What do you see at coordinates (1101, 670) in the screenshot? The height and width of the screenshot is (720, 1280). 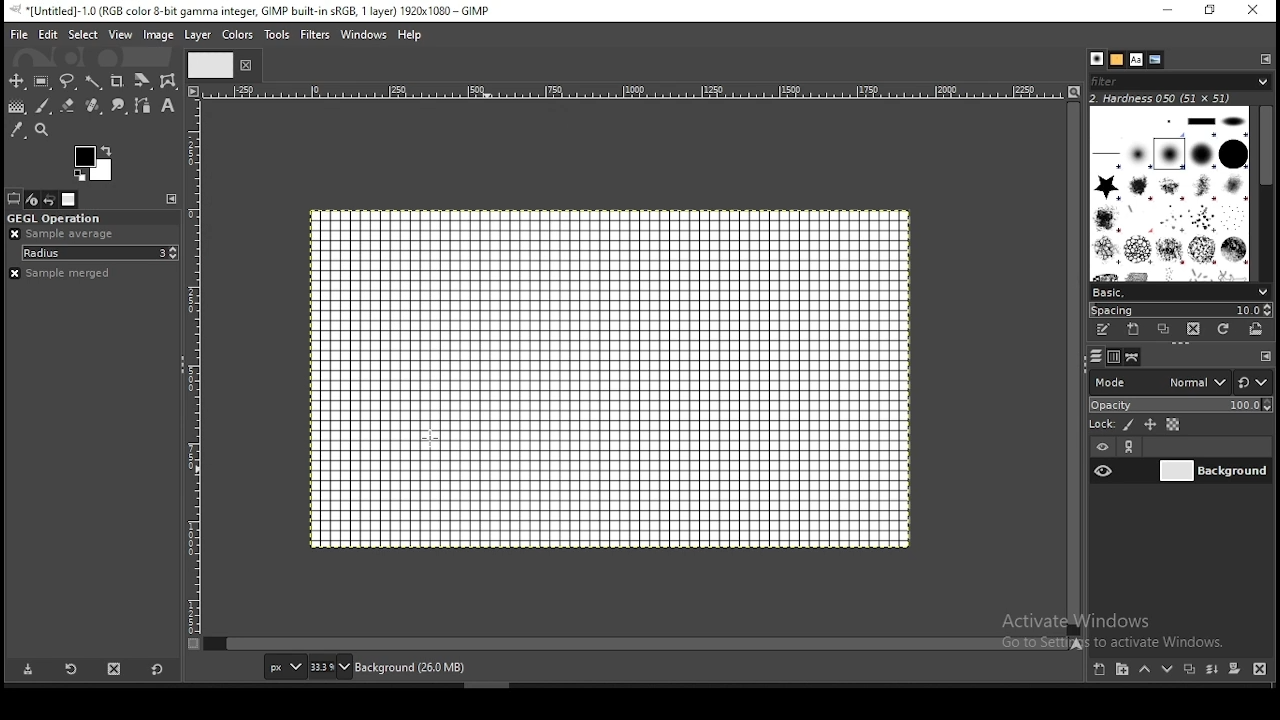 I see `new layer ` at bounding box center [1101, 670].